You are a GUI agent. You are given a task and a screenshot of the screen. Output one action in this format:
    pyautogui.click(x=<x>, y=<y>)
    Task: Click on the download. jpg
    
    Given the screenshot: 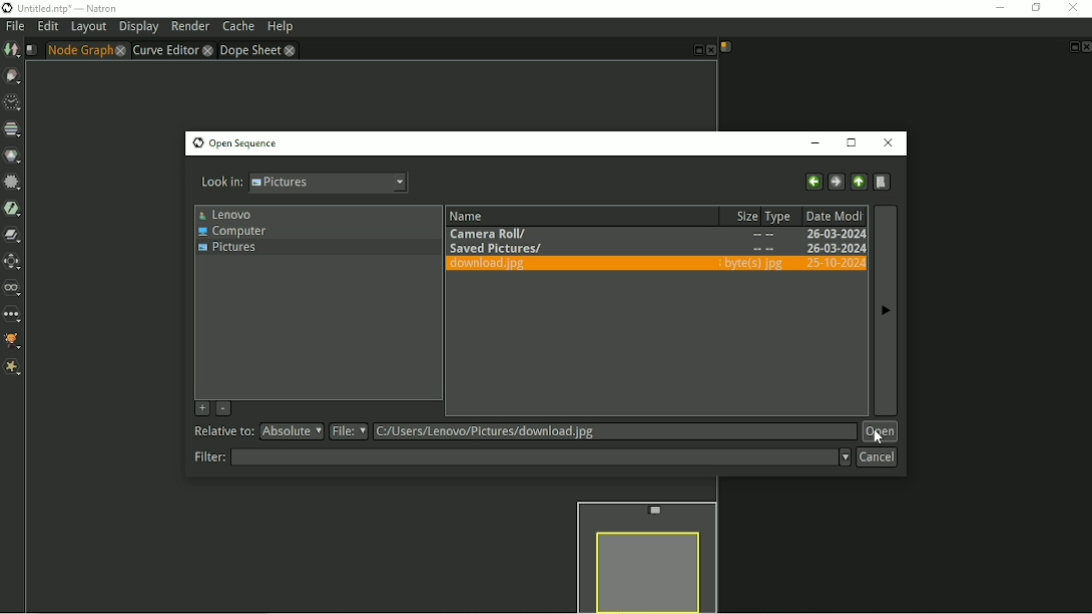 What is the action you would take?
    pyautogui.click(x=487, y=264)
    